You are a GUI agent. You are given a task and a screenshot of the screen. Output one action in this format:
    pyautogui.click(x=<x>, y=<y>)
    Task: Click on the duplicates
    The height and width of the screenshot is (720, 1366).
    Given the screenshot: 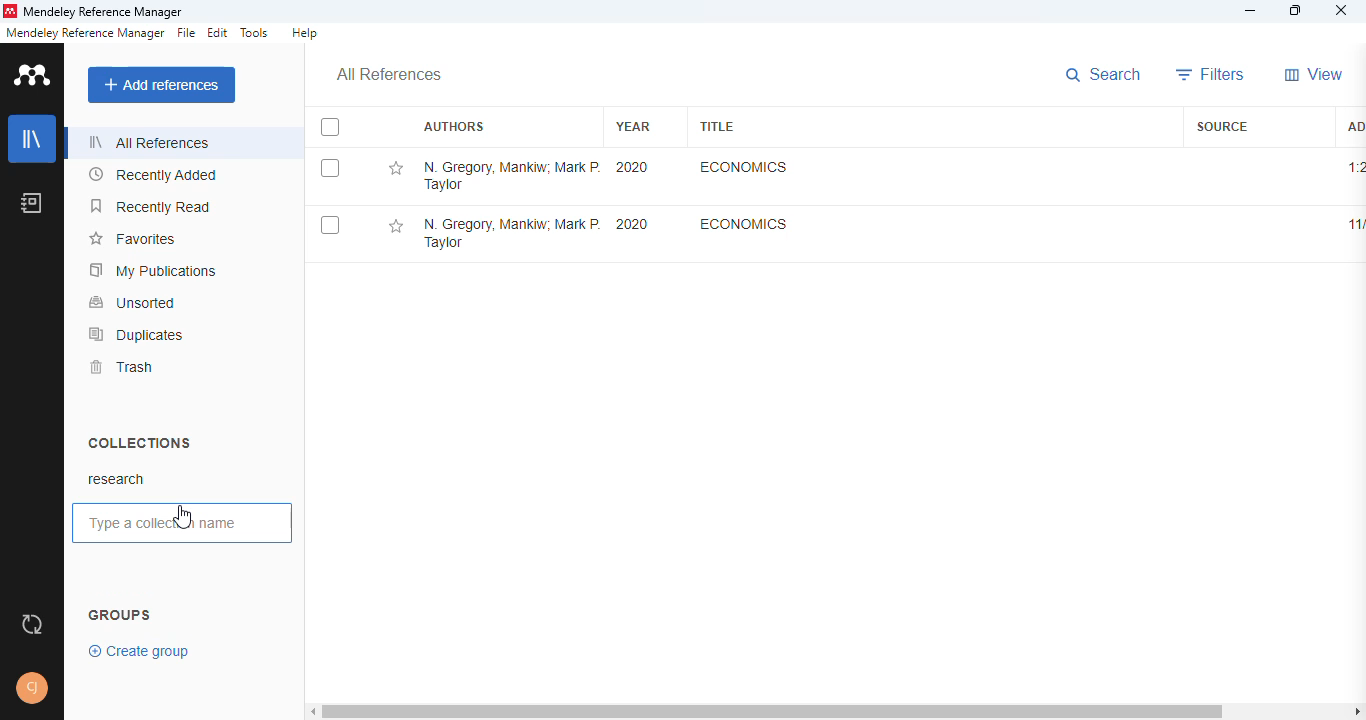 What is the action you would take?
    pyautogui.click(x=137, y=334)
    